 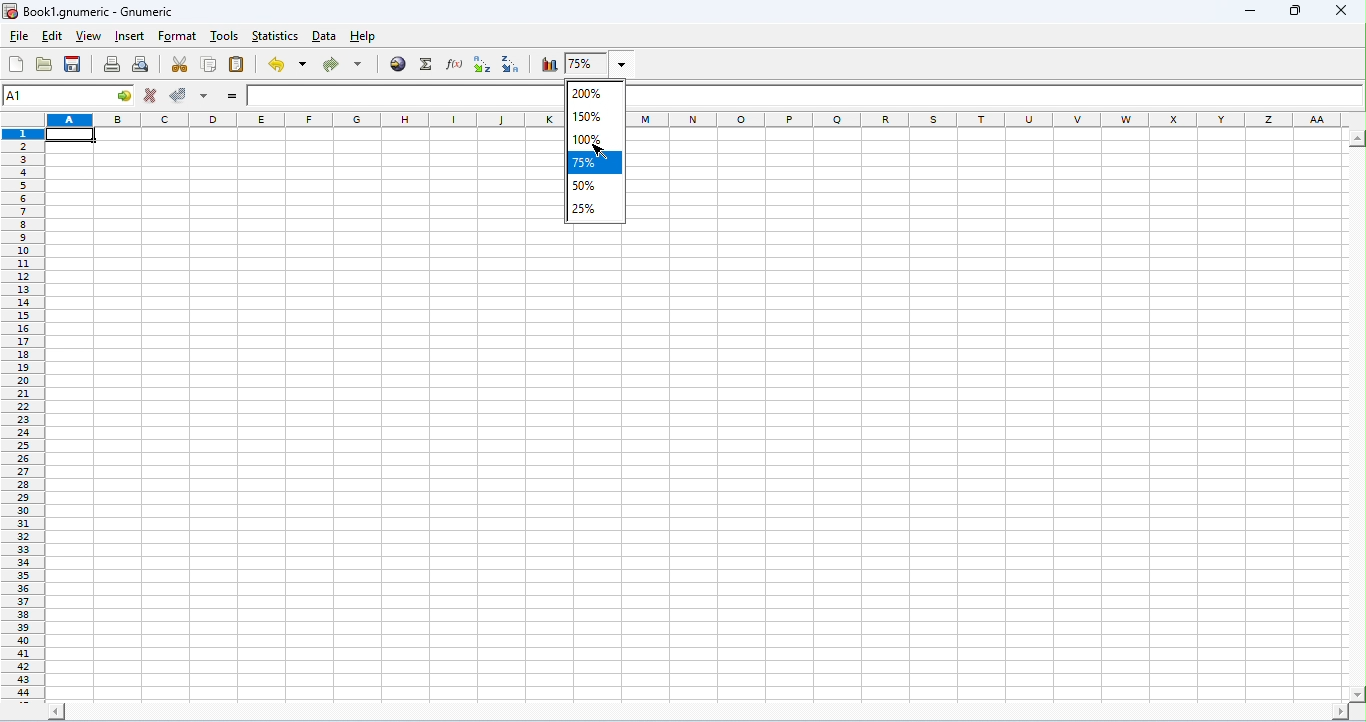 I want to click on file, so click(x=20, y=39).